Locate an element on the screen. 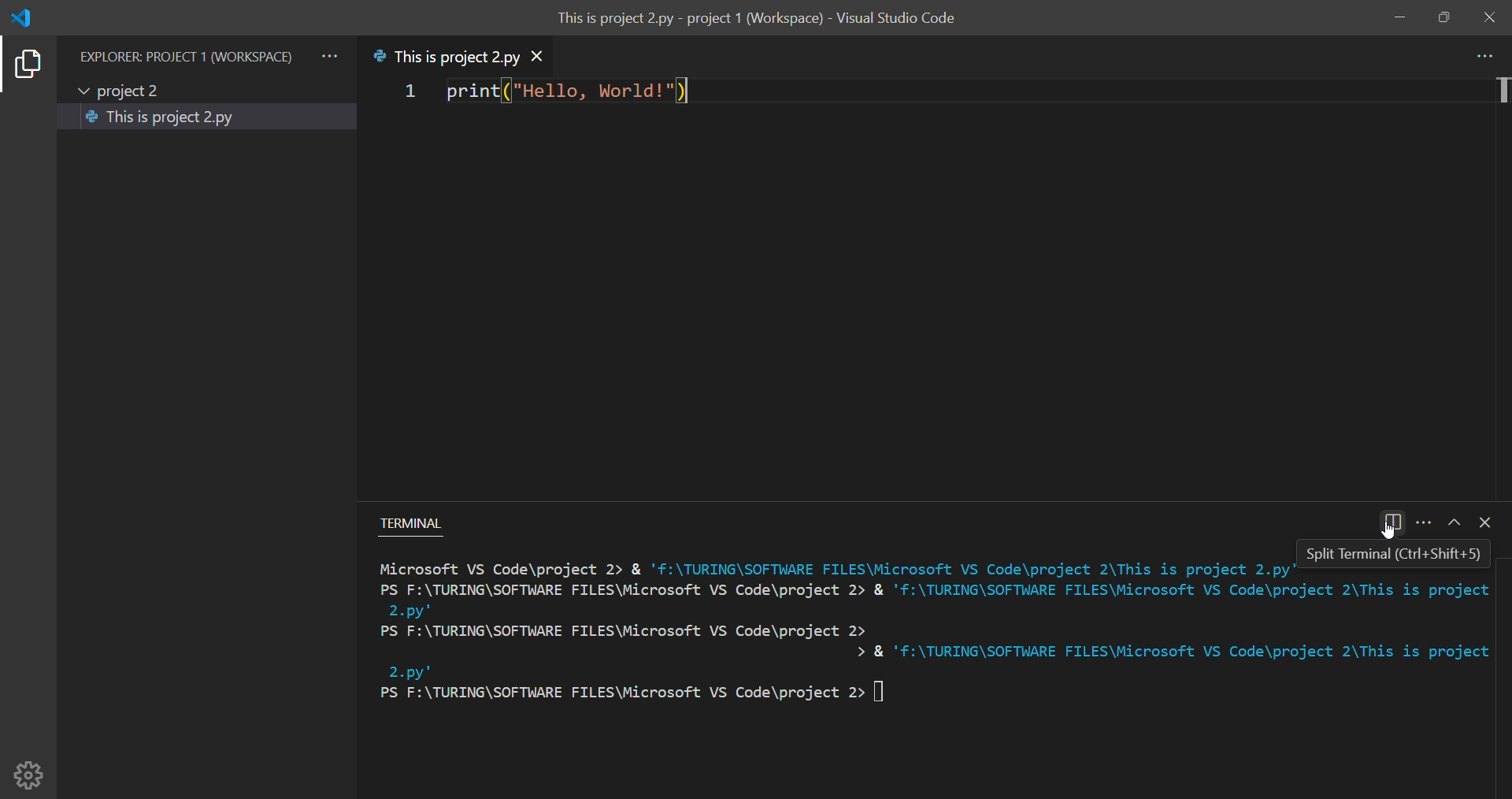 The height and width of the screenshot is (799, 1512). Split Terminal (Ctrl+Shift+5) is located at coordinates (1394, 548).